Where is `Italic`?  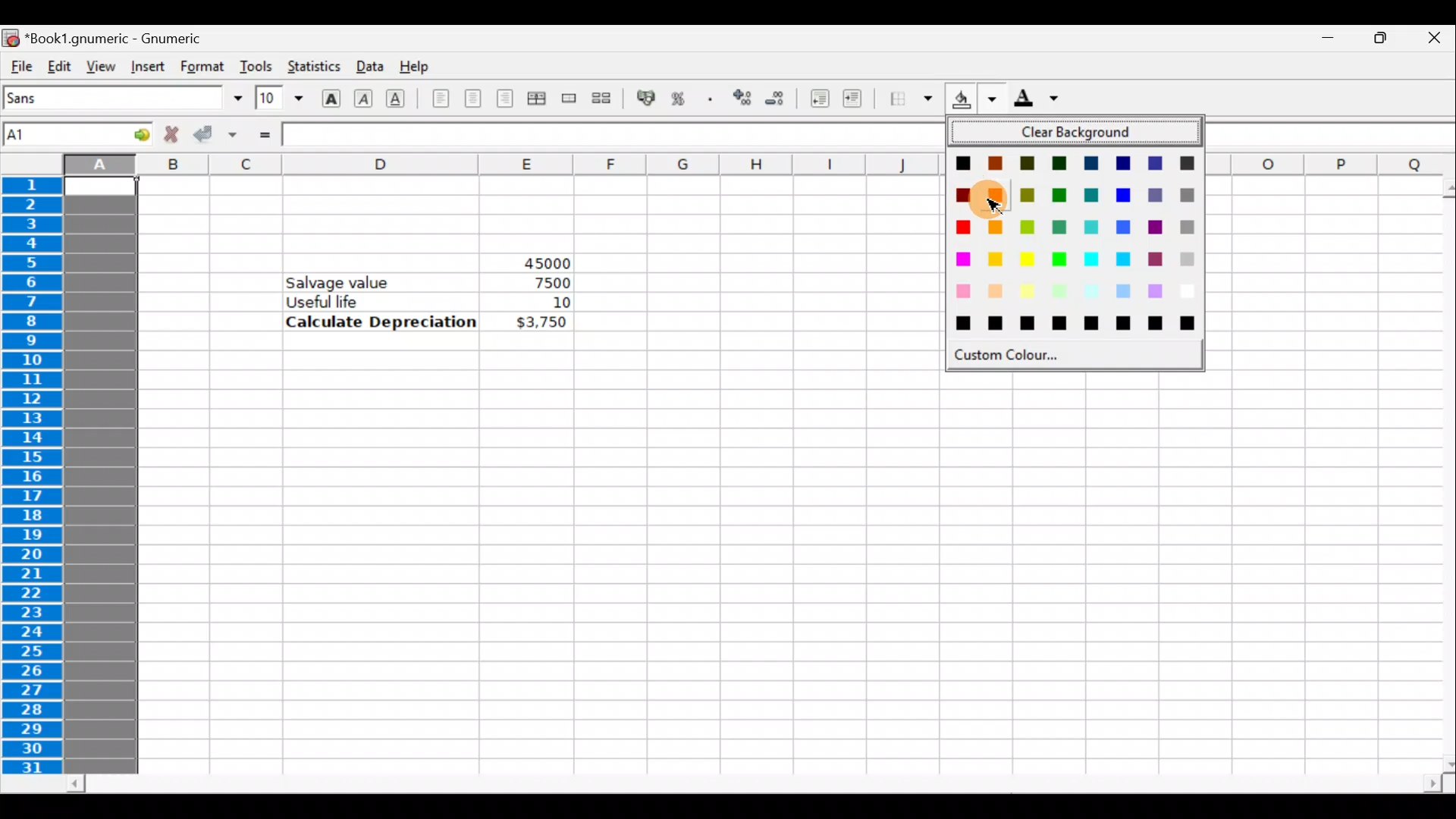 Italic is located at coordinates (366, 96).